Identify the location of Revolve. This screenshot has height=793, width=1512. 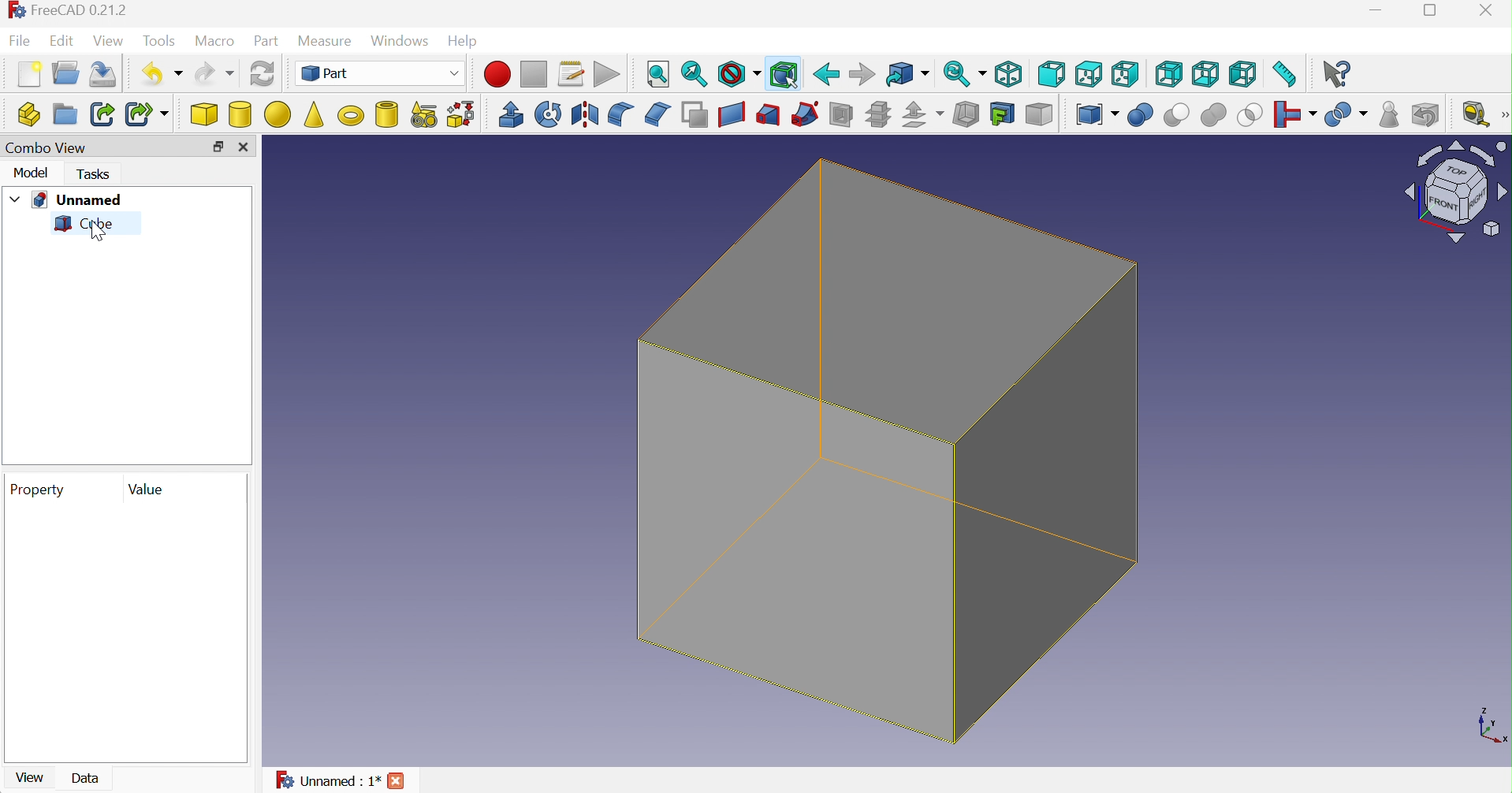
(549, 114).